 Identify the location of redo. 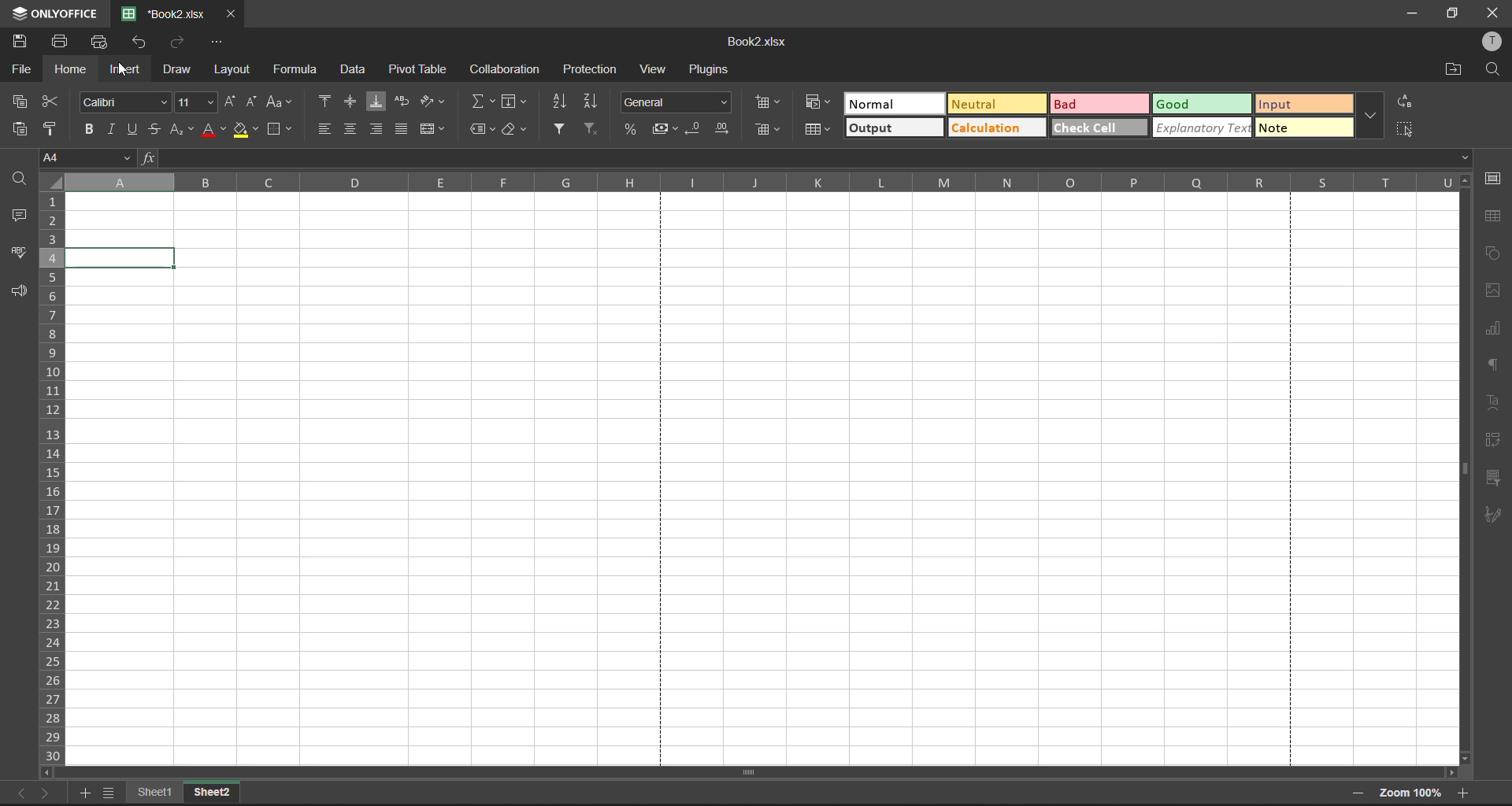
(178, 43).